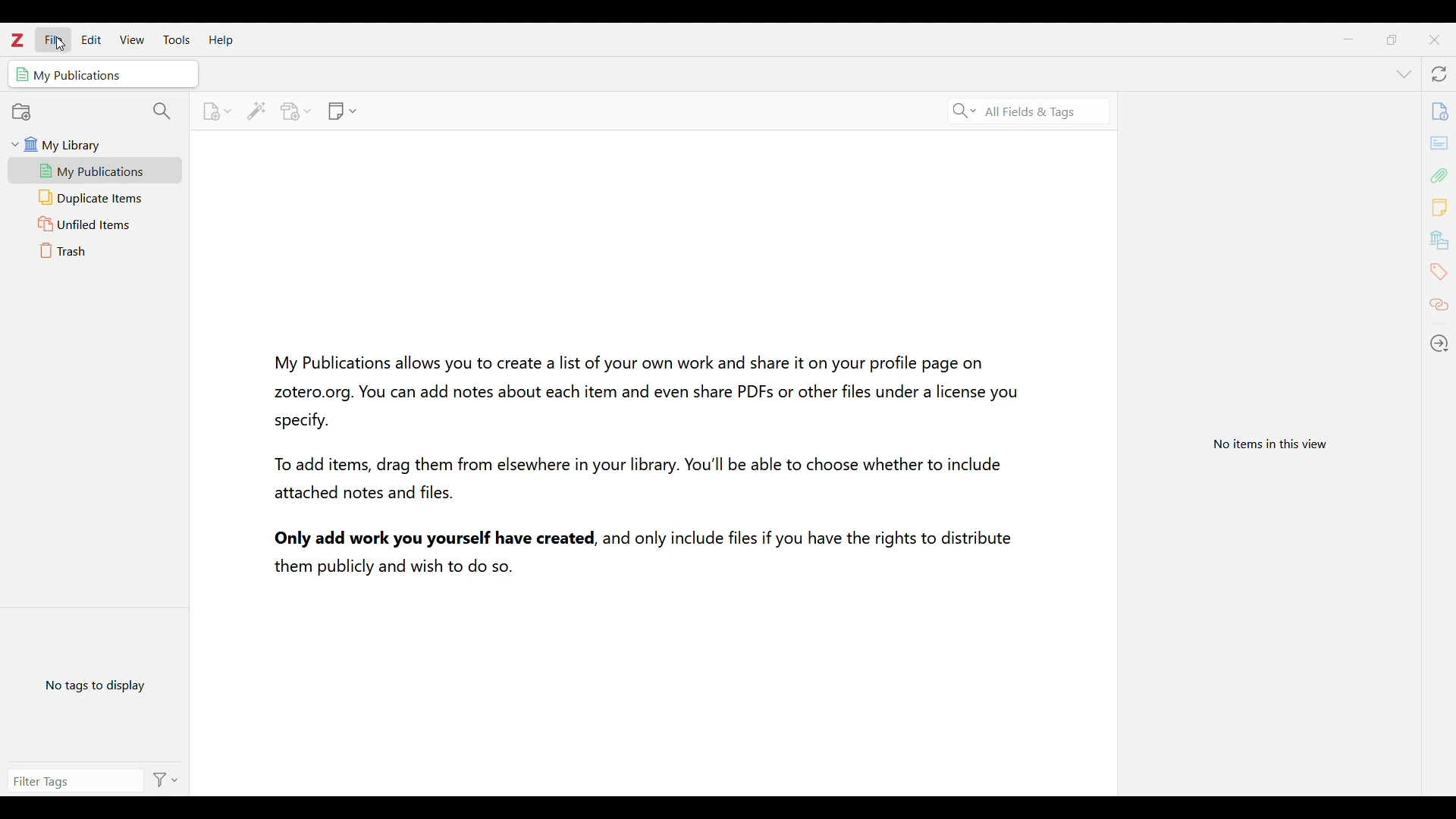 The width and height of the screenshot is (1456, 819). Describe the element at coordinates (1439, 342) in the screenshot. I see `Locate` at that location.